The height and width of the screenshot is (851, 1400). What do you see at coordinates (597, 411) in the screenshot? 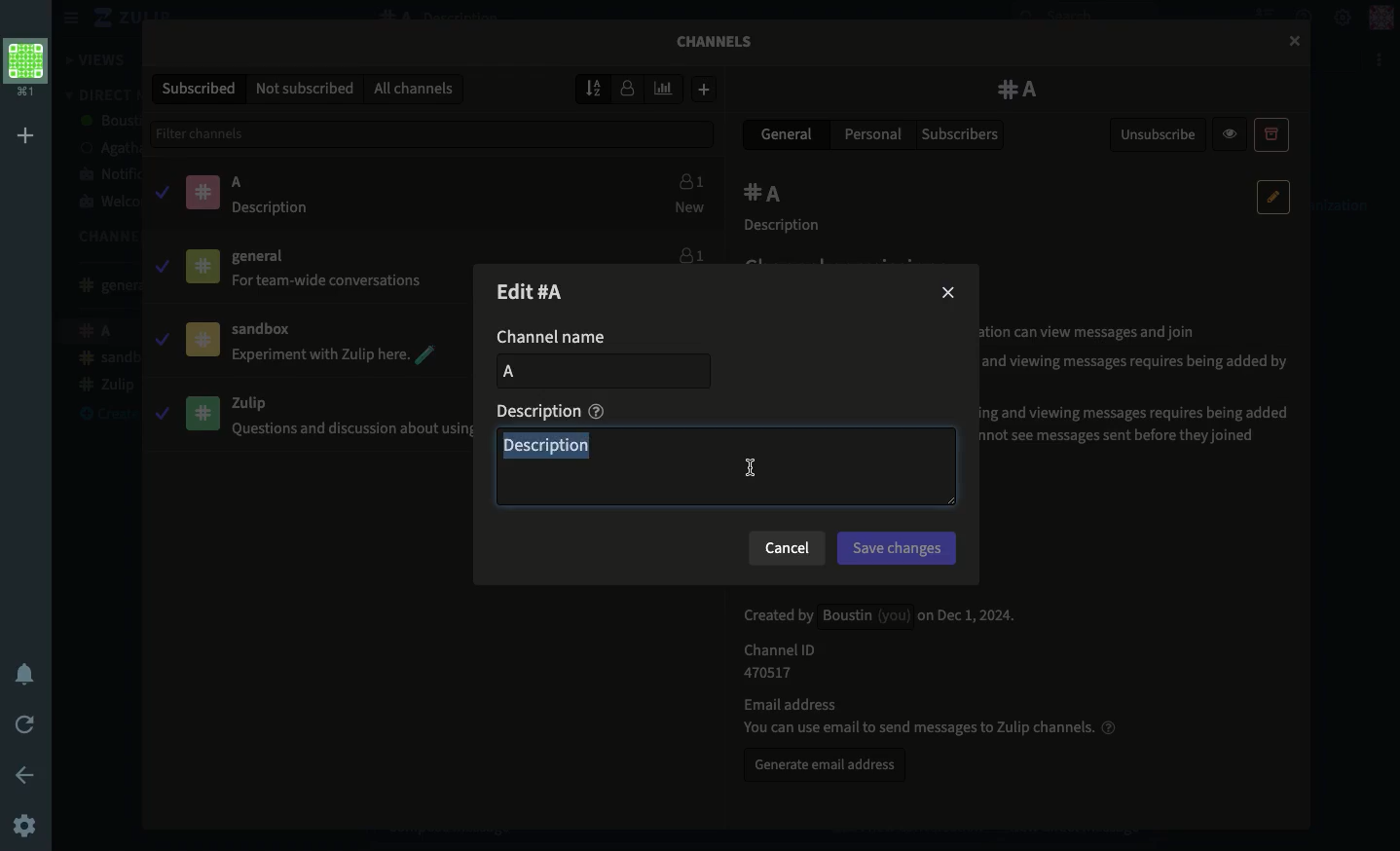
I see `help` at bounding box center [597, 411].